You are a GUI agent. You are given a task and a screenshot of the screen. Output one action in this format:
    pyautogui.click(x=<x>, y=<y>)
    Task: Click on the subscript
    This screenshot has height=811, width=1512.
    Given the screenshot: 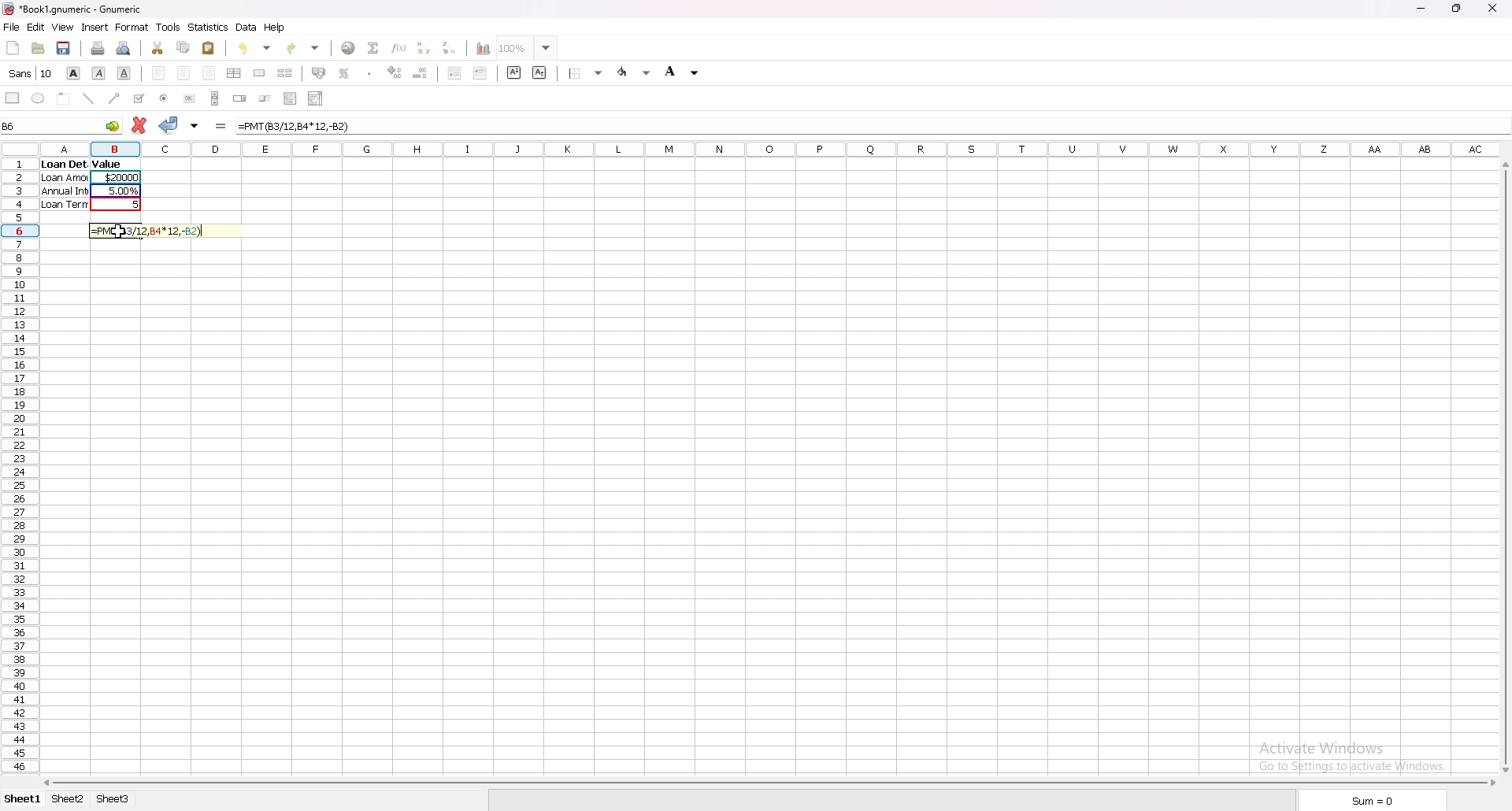 What is the action you would take?
    pyautogui.click(x=539, y=72)
    